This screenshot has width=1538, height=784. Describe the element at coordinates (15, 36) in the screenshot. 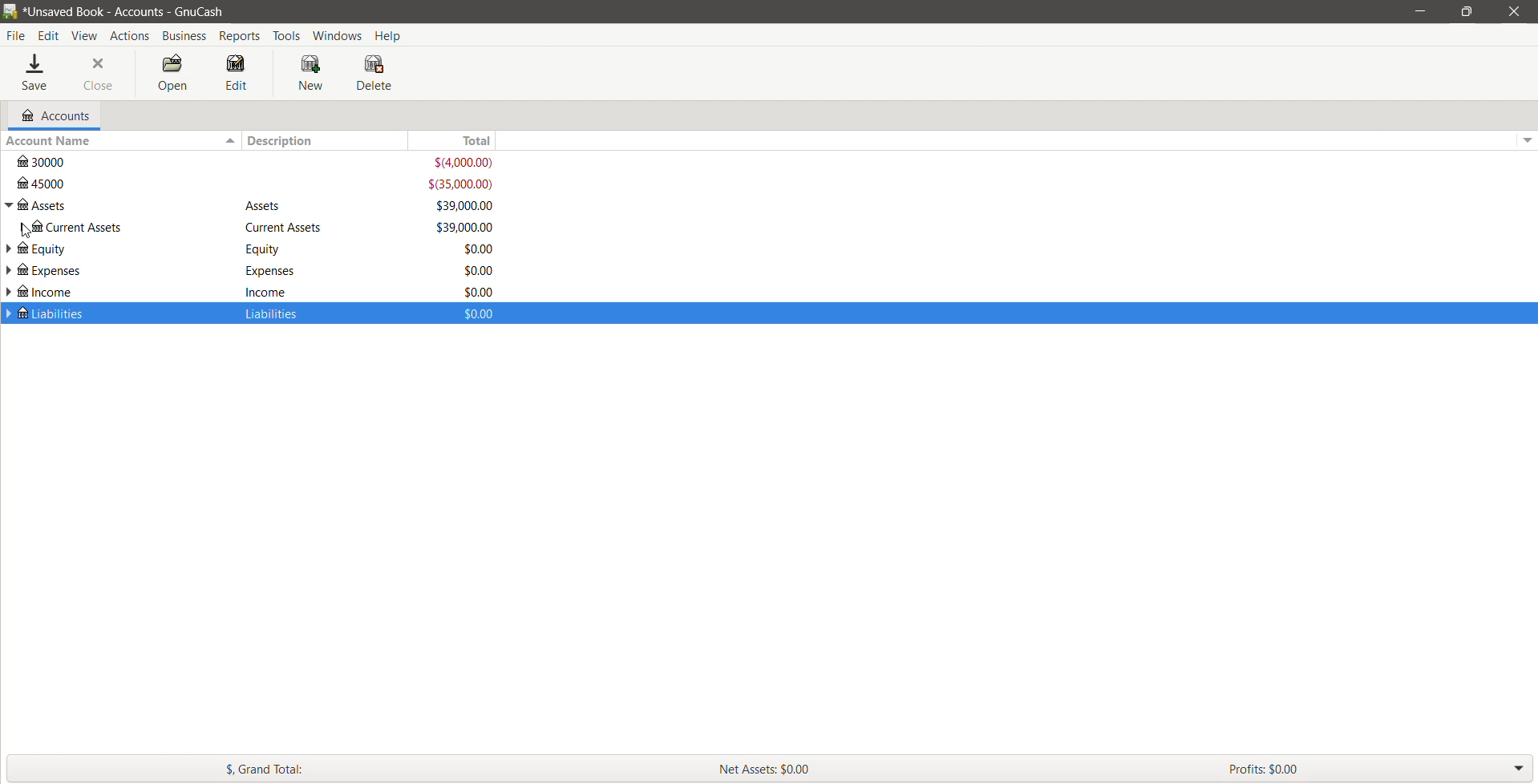

I see `File` at that location.